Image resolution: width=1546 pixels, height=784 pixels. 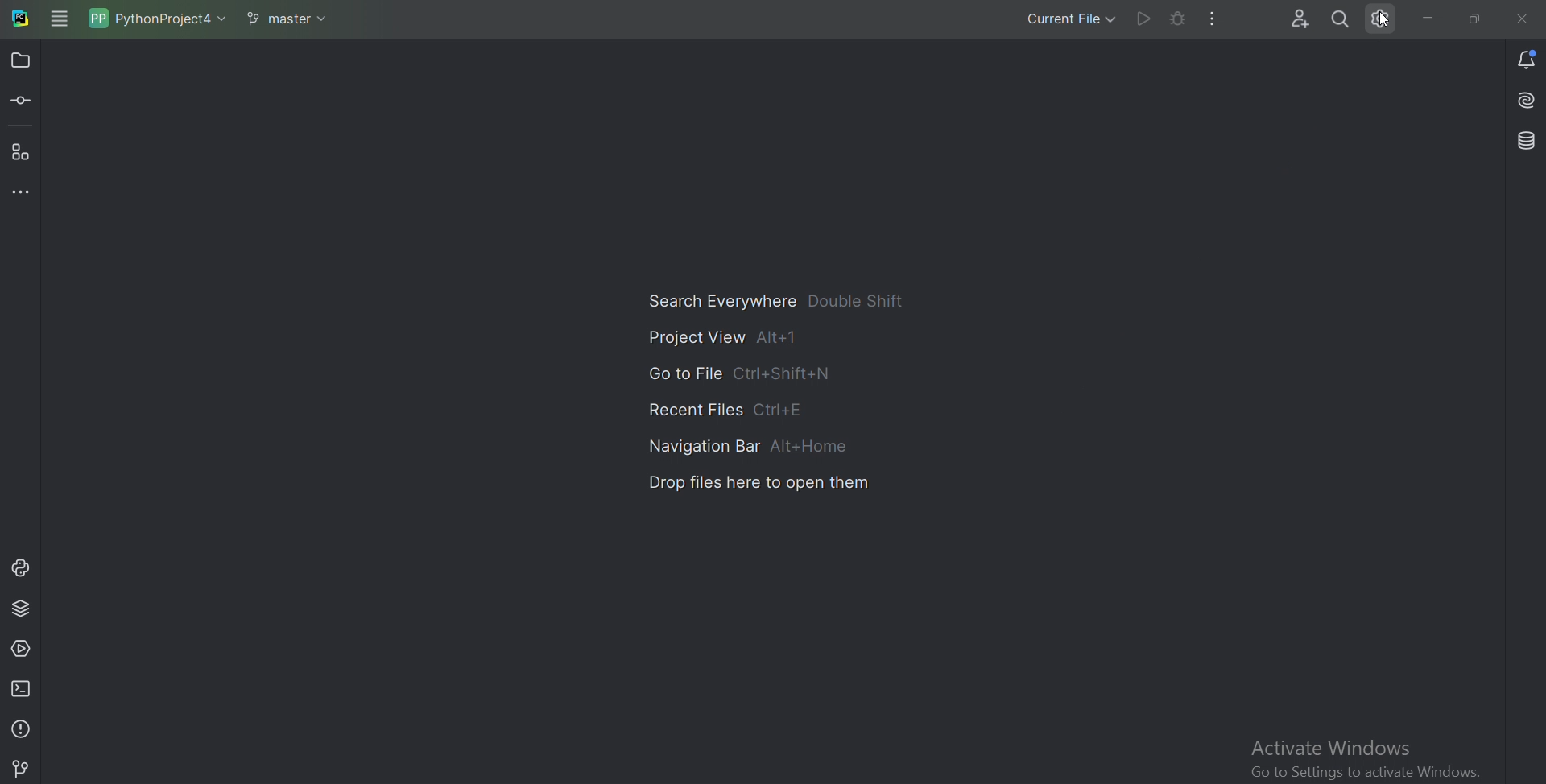 What do you see at coordinates (759, 482) in the screenshot?
I see `Drop files here to open them and shortcut key` at bounding box center [759, 482].